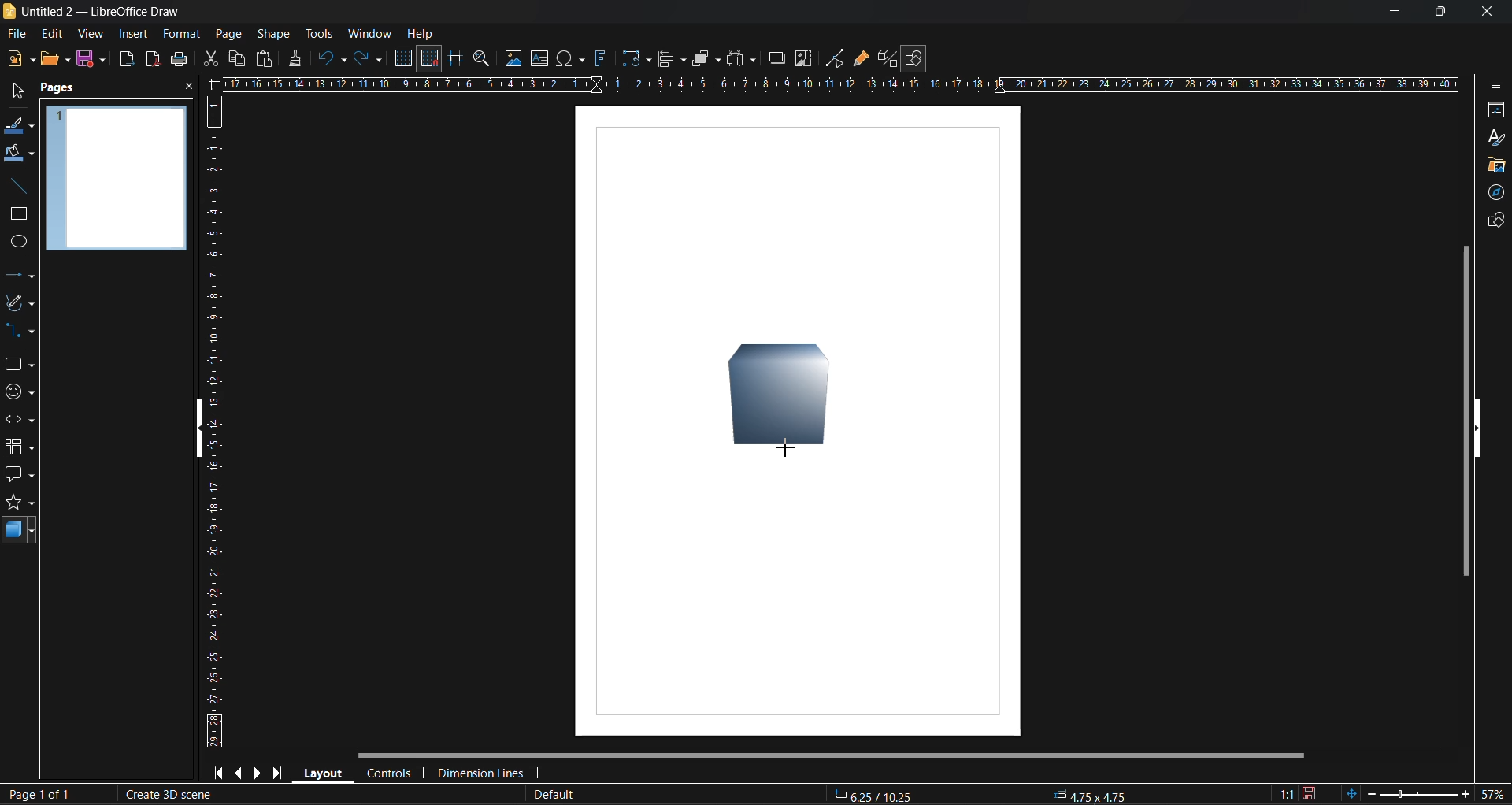 The height and width of the screenshot is (805, 1512). I want to click on properties, so click(1493, 111).